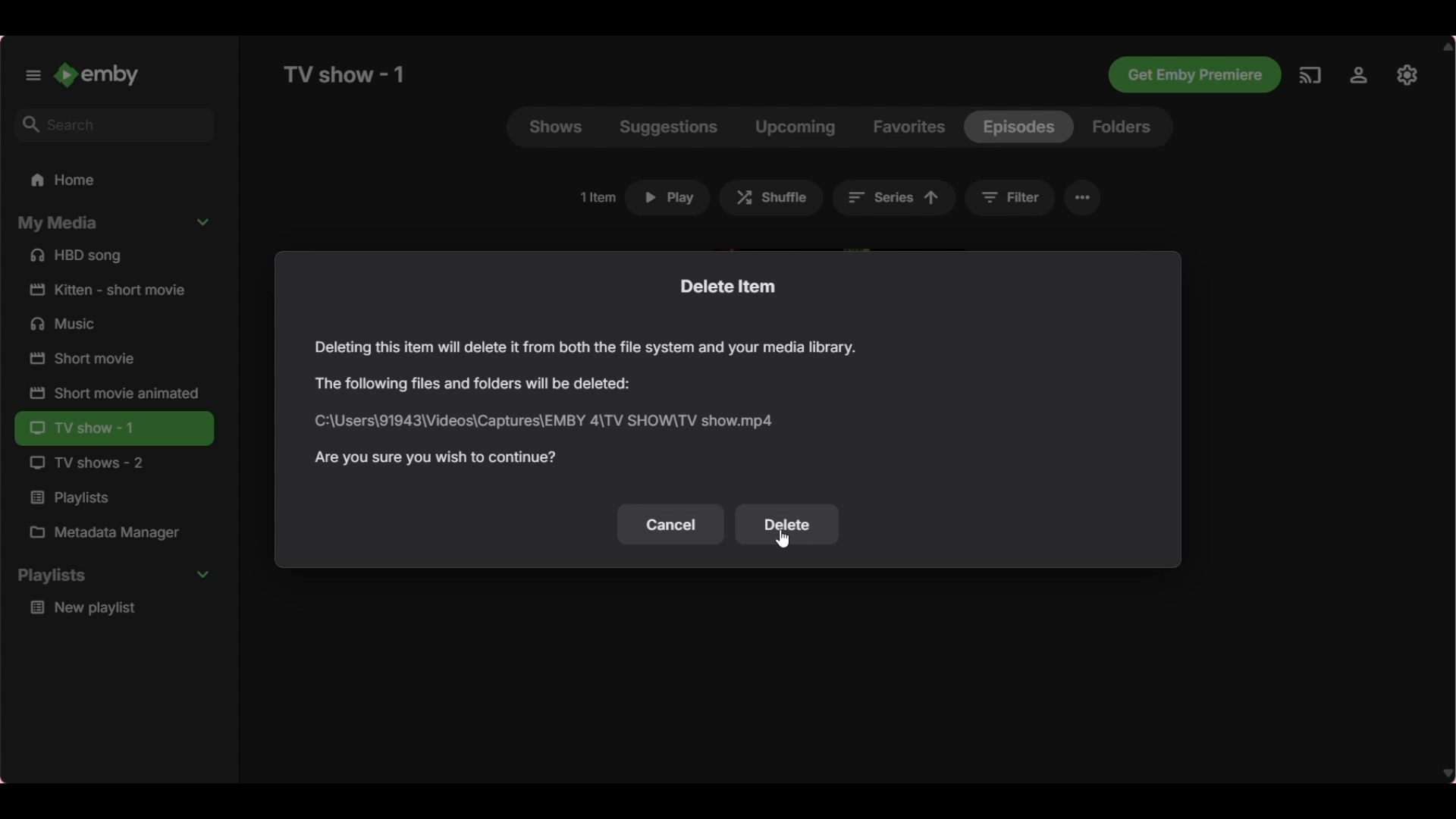 The height and width of the screenshot is (819, 1456). What do you see at coordinates (1310, 75) in the screenshot?
I see `Play on another device` at bounding box center [1310, 75].